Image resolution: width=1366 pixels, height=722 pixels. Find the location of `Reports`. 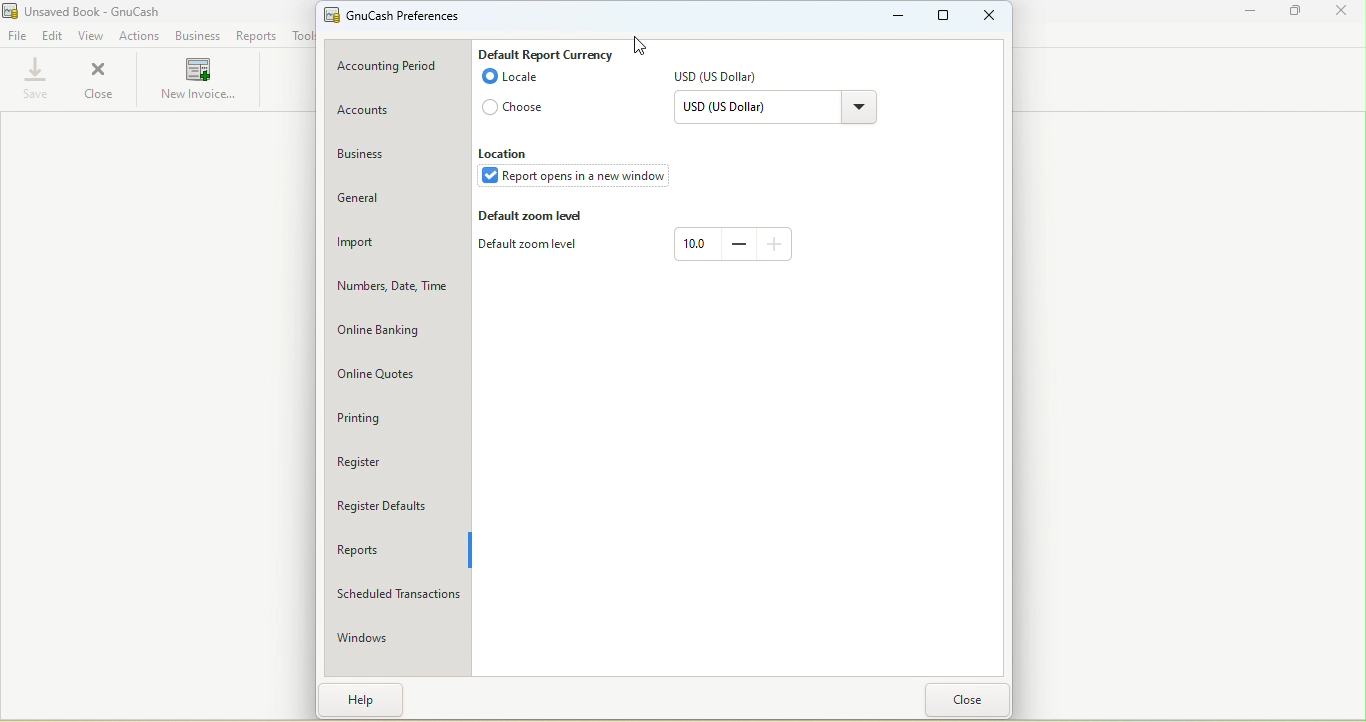

Reports is located at coordinates (255, 36).